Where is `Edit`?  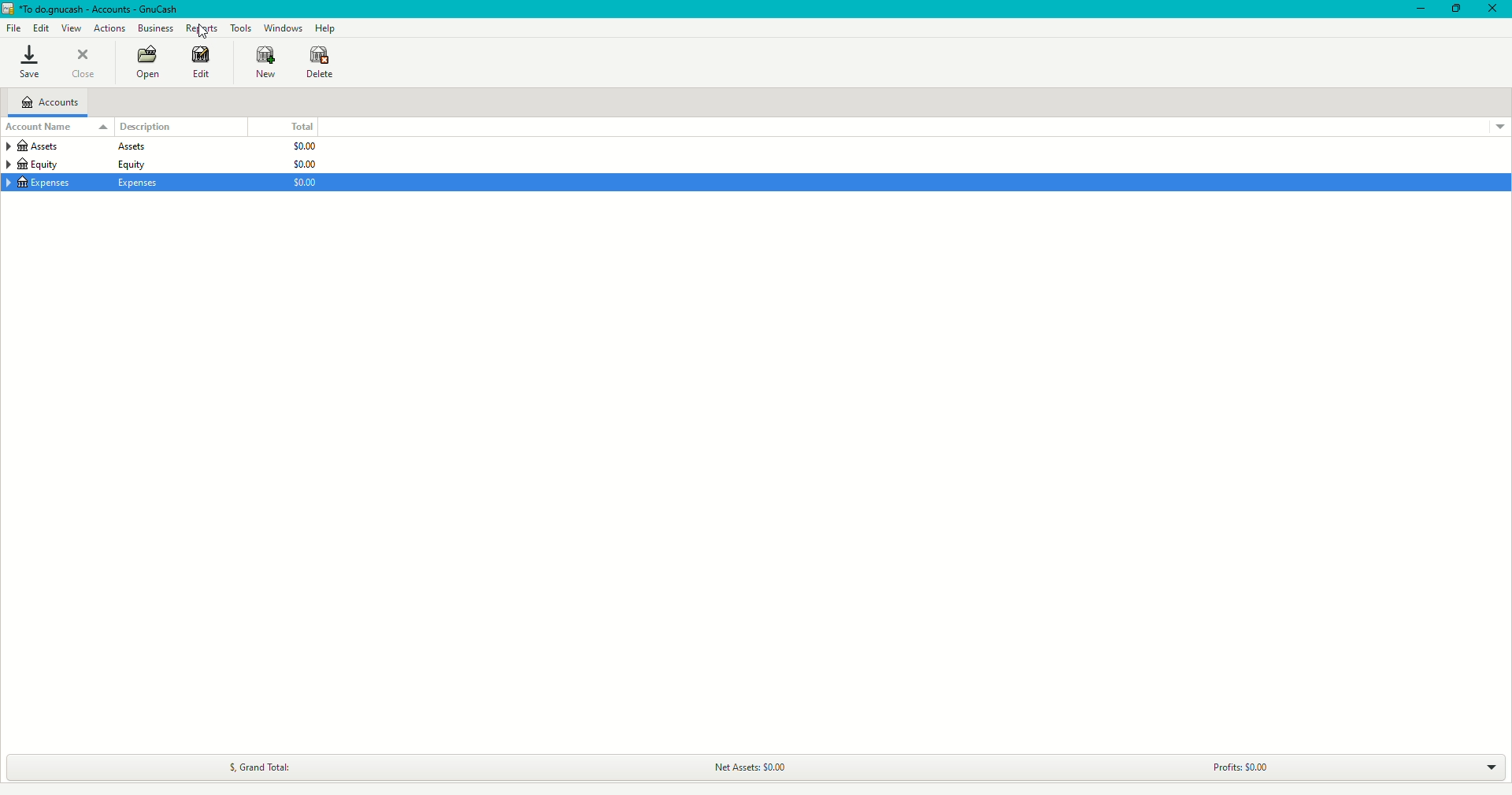
Edit is located at coordinates (43, 28).